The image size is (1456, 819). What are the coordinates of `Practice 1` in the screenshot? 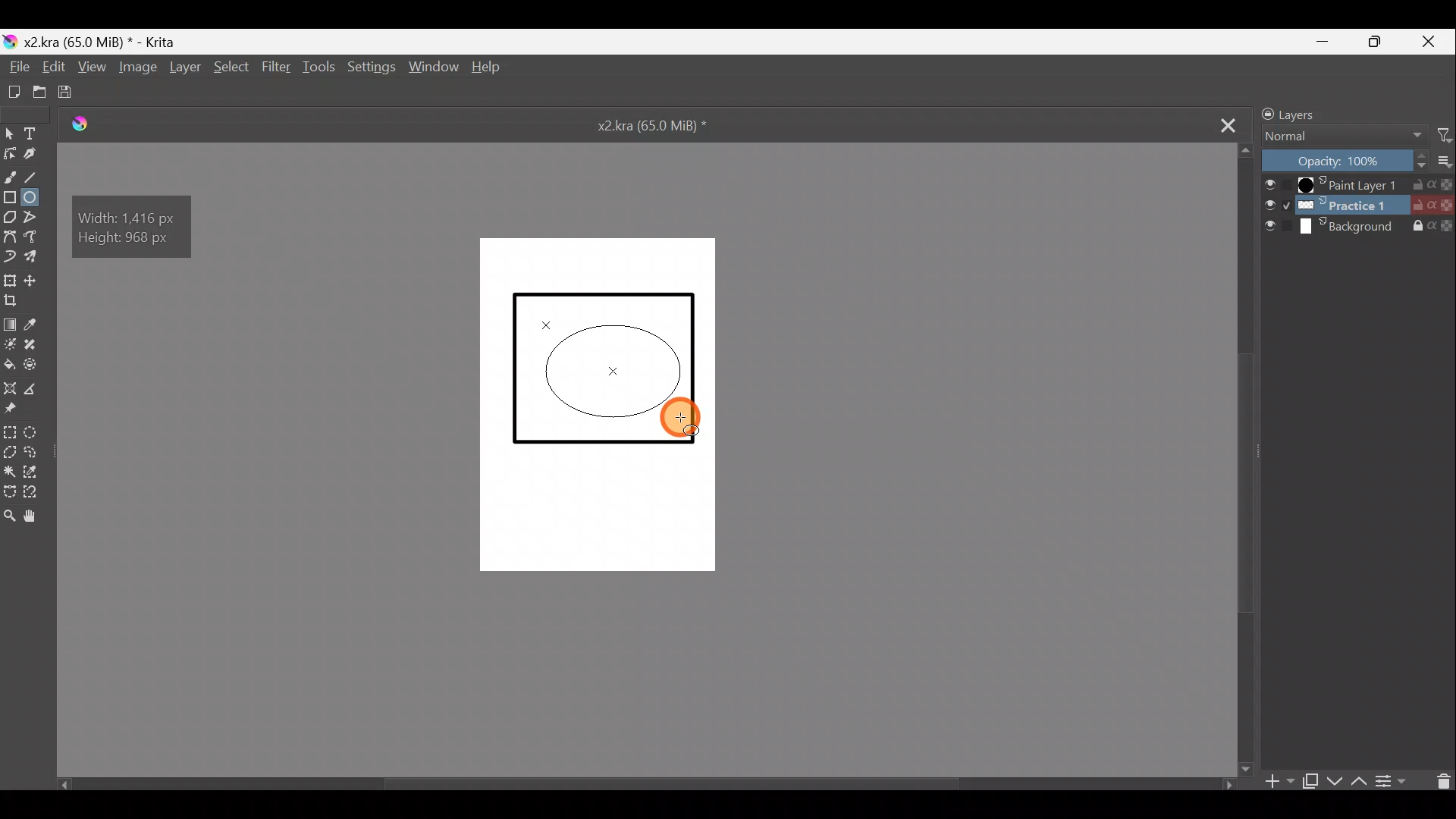 It's located at (1359, 206).